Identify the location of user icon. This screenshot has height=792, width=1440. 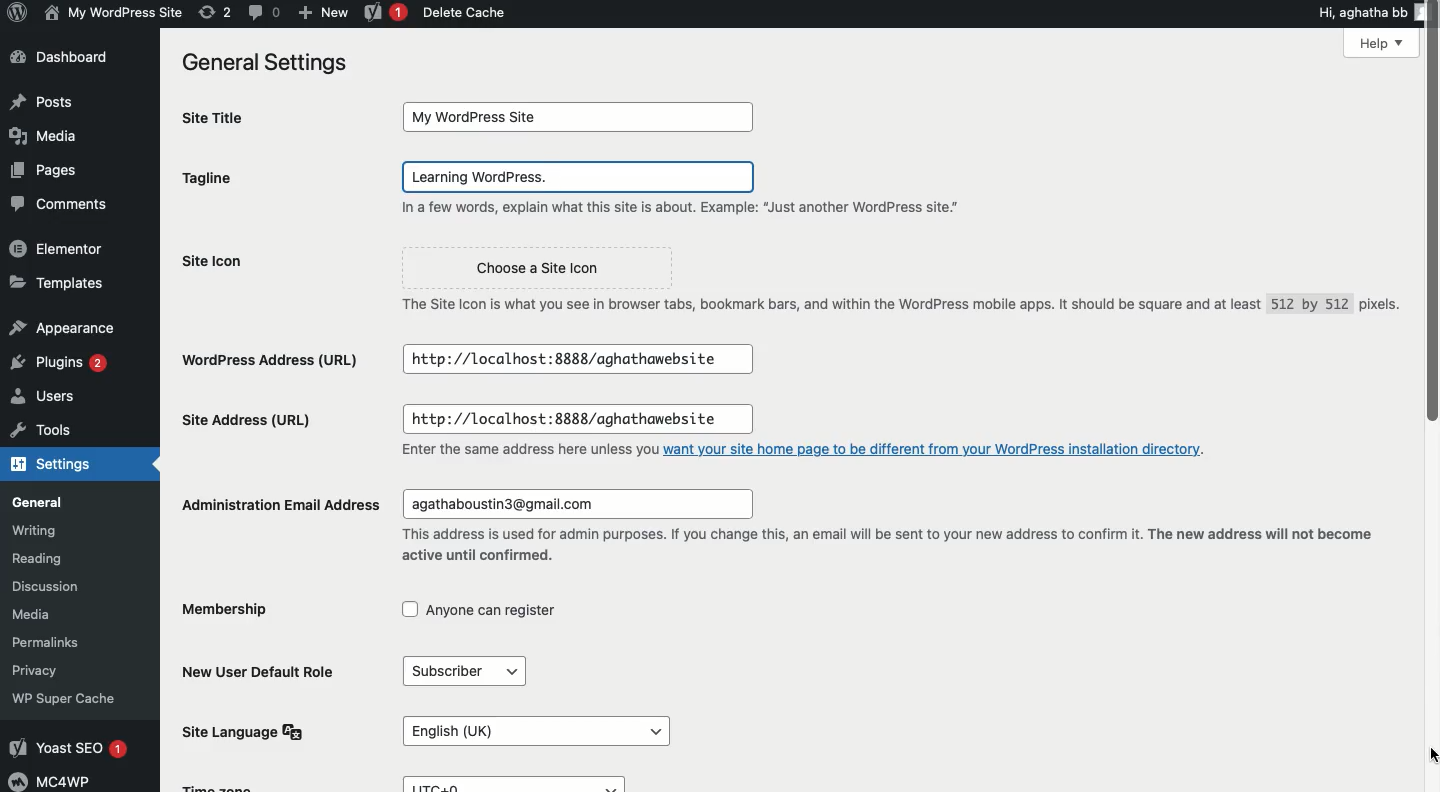
(1426, 11).